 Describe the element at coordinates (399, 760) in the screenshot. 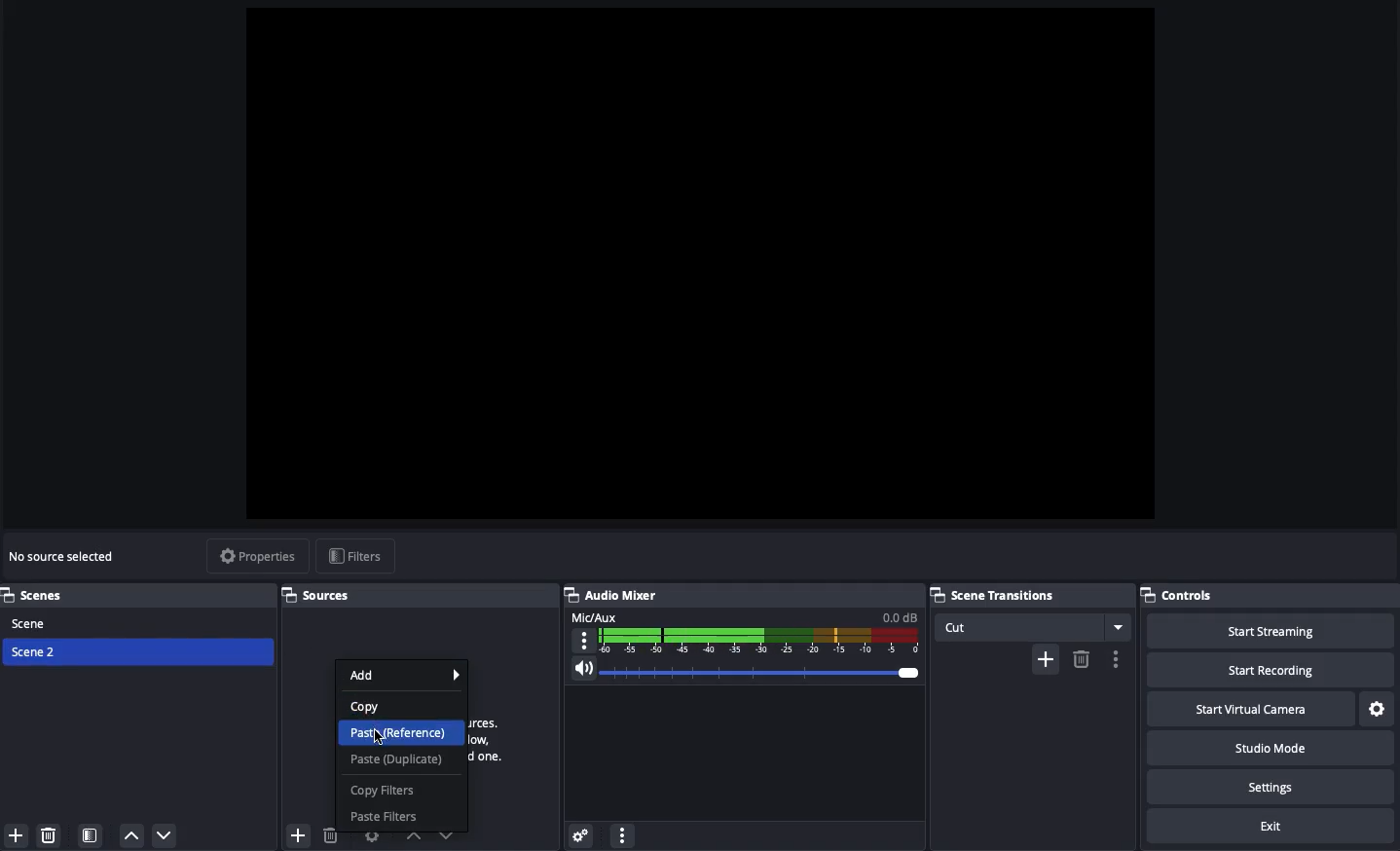

I see `Paste (duplicate)` at that location.